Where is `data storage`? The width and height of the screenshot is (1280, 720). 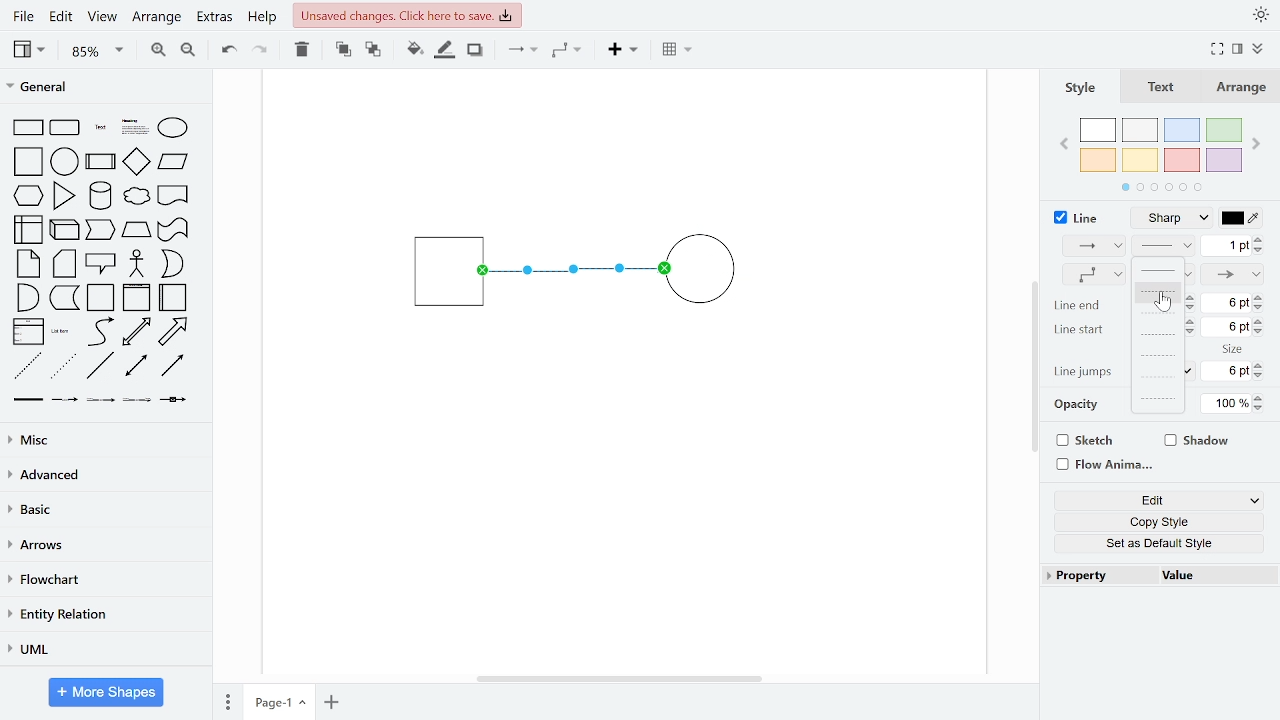
data storage is located at coordinates (65, 297).